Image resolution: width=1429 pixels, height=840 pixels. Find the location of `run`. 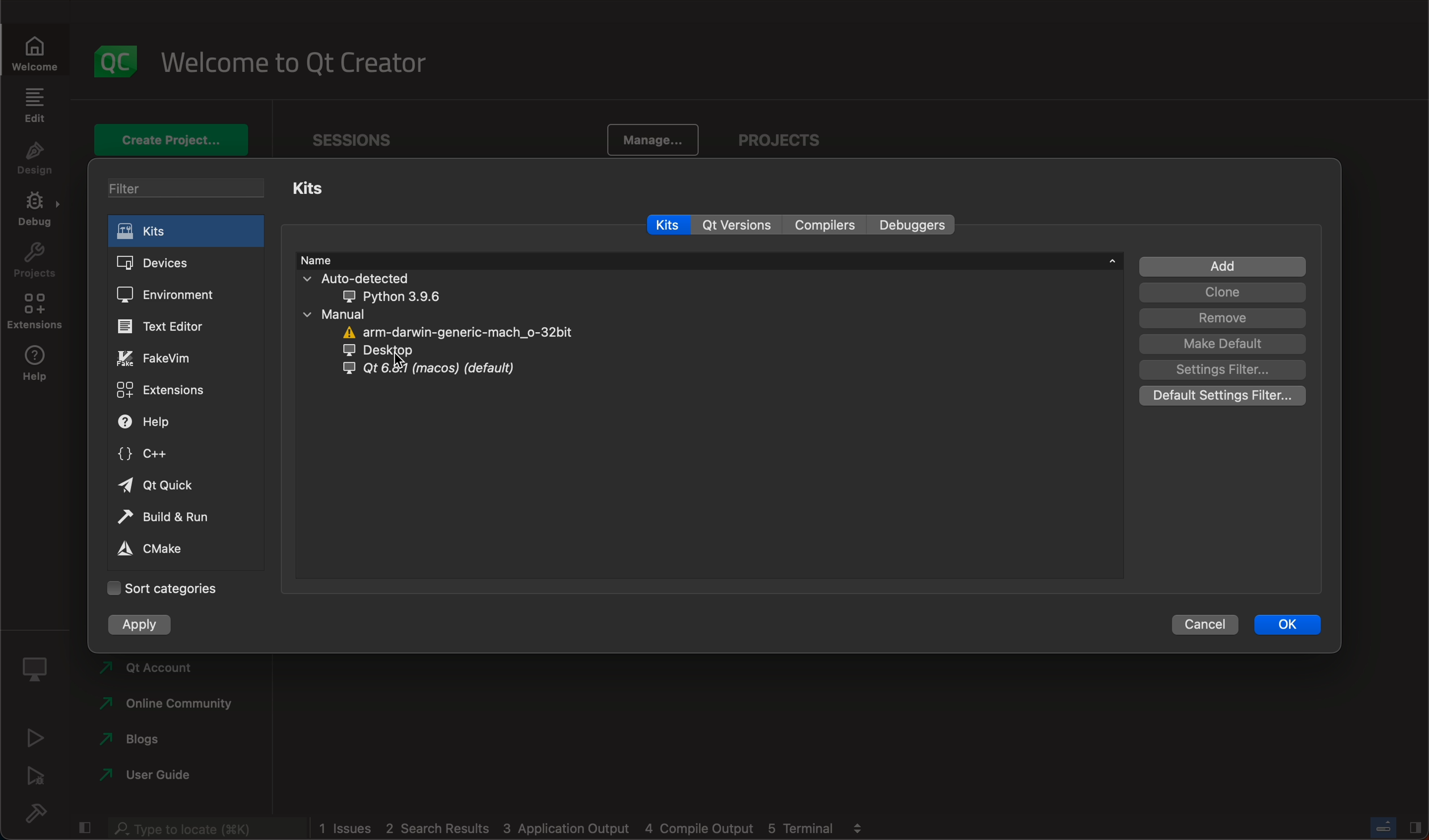

run is located at coordinates (38, 736).